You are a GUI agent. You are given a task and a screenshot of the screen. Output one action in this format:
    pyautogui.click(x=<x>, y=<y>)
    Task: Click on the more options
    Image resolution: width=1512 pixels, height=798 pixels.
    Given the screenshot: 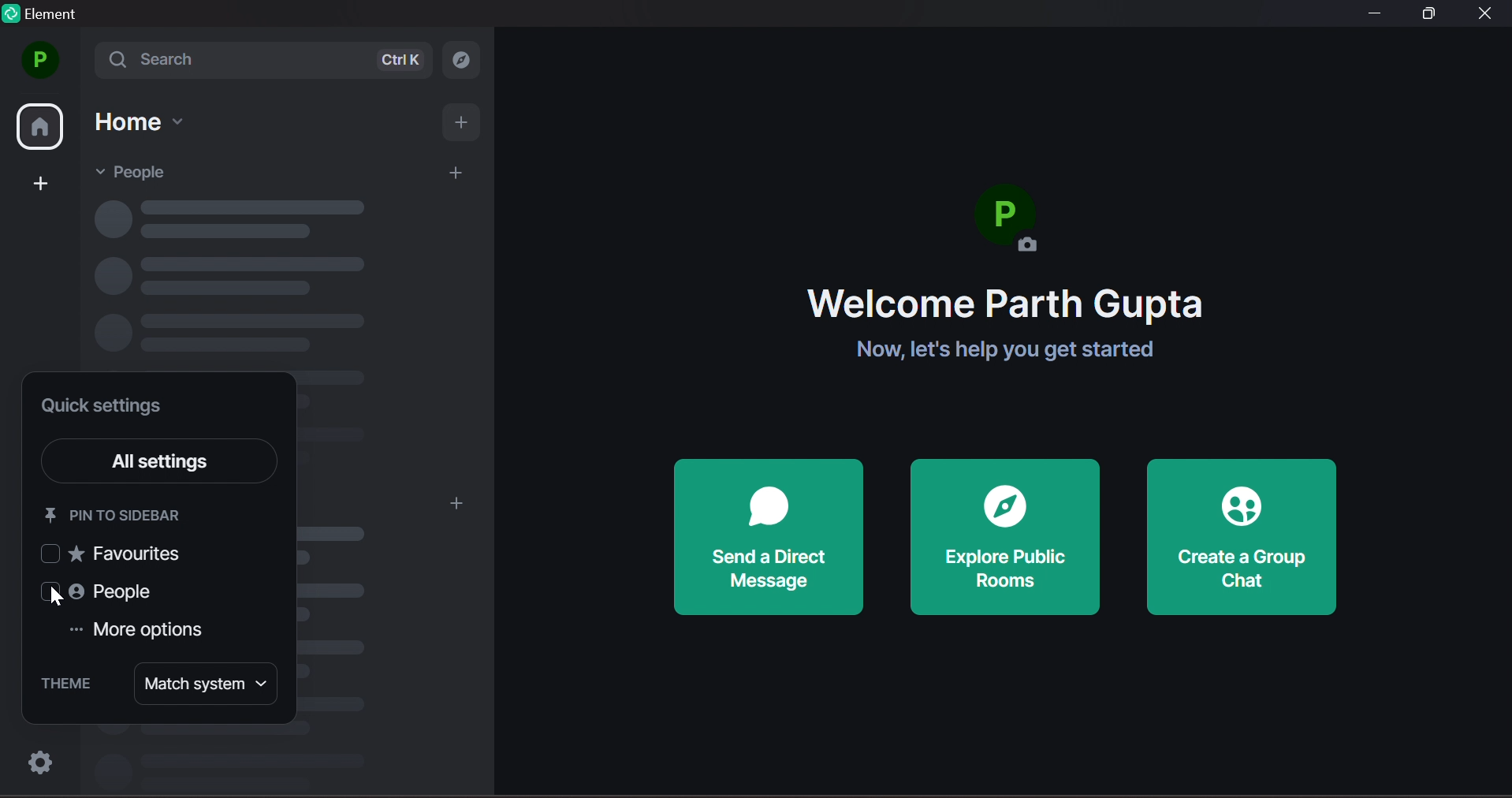 What is the action you would take?
    pyautogui.click(x=73, y=629)
    